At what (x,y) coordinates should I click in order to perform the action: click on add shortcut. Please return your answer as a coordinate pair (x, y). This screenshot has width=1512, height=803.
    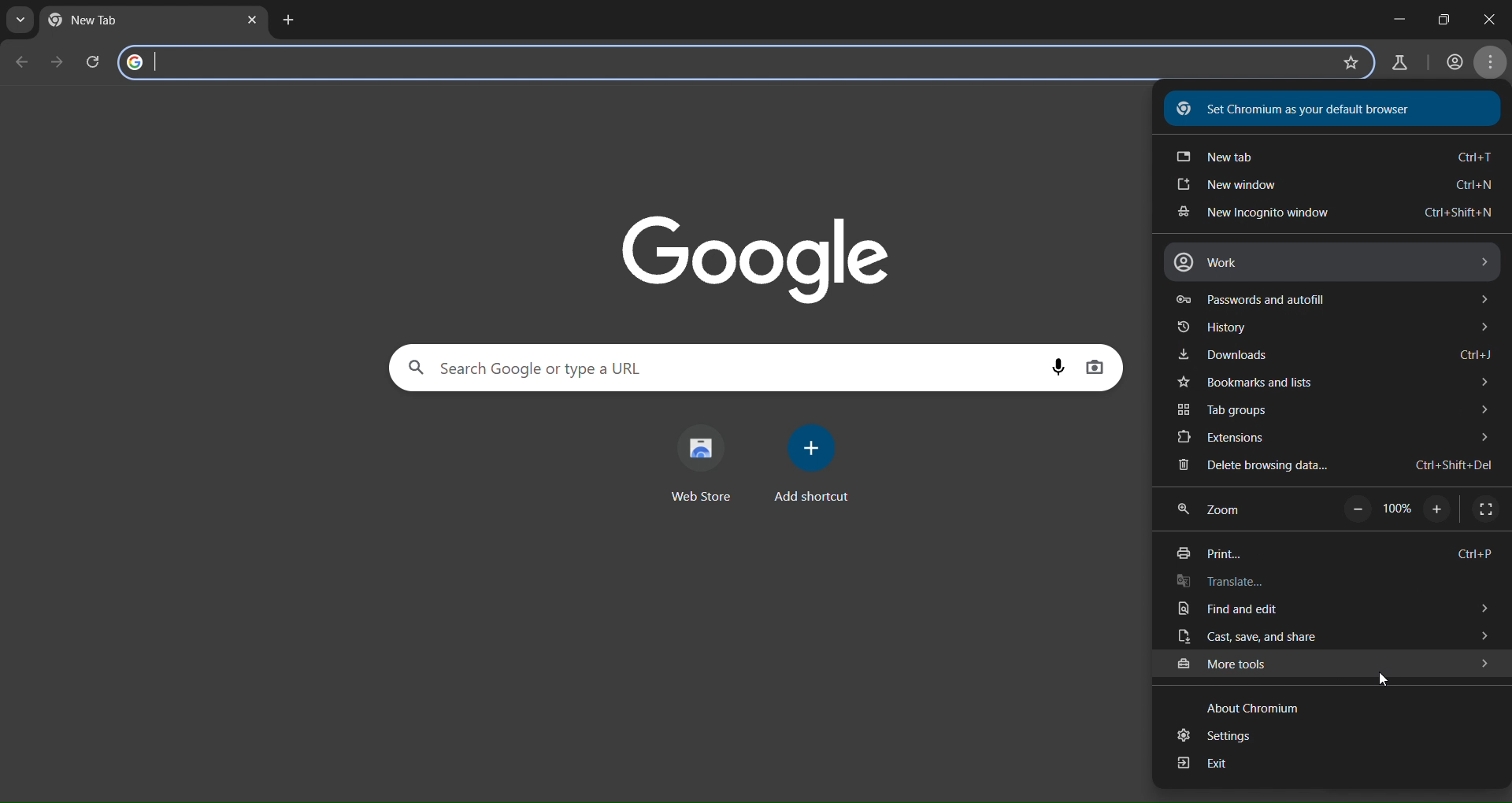
    Looking at the image, I should click on (813, 465).